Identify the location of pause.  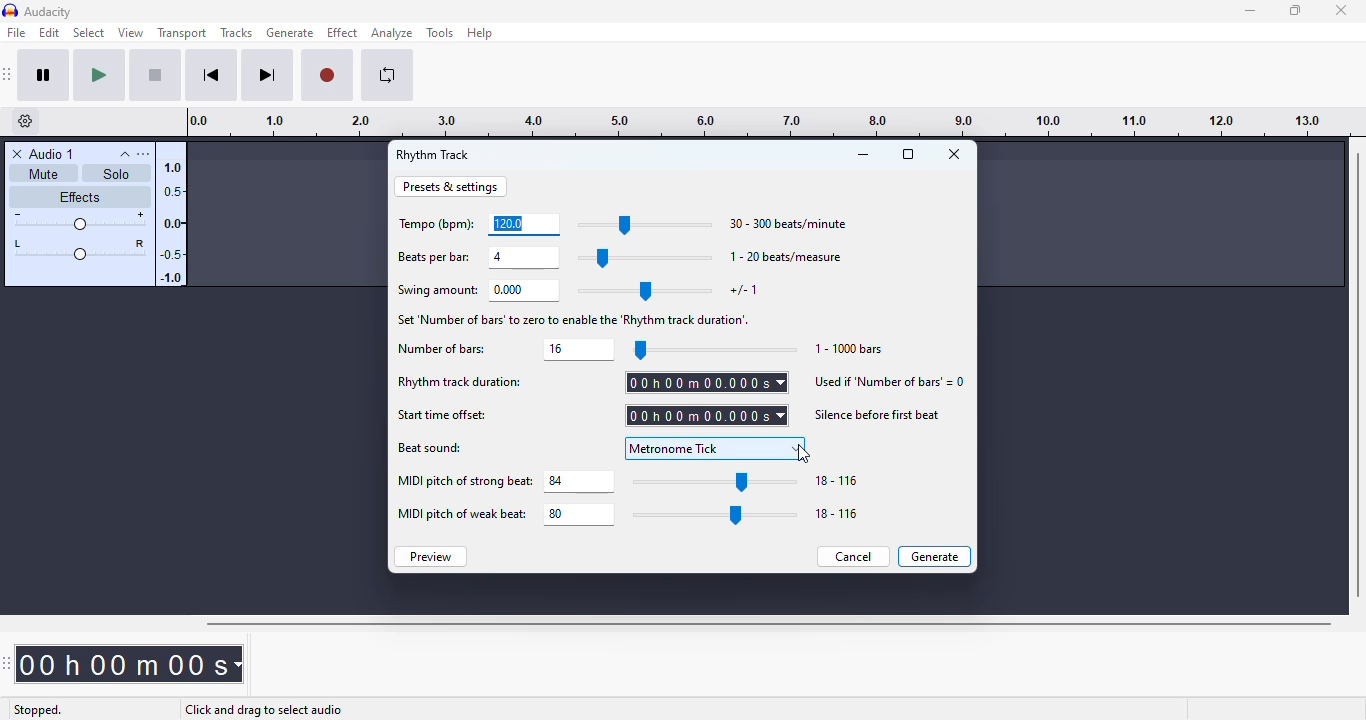
(44, 75).